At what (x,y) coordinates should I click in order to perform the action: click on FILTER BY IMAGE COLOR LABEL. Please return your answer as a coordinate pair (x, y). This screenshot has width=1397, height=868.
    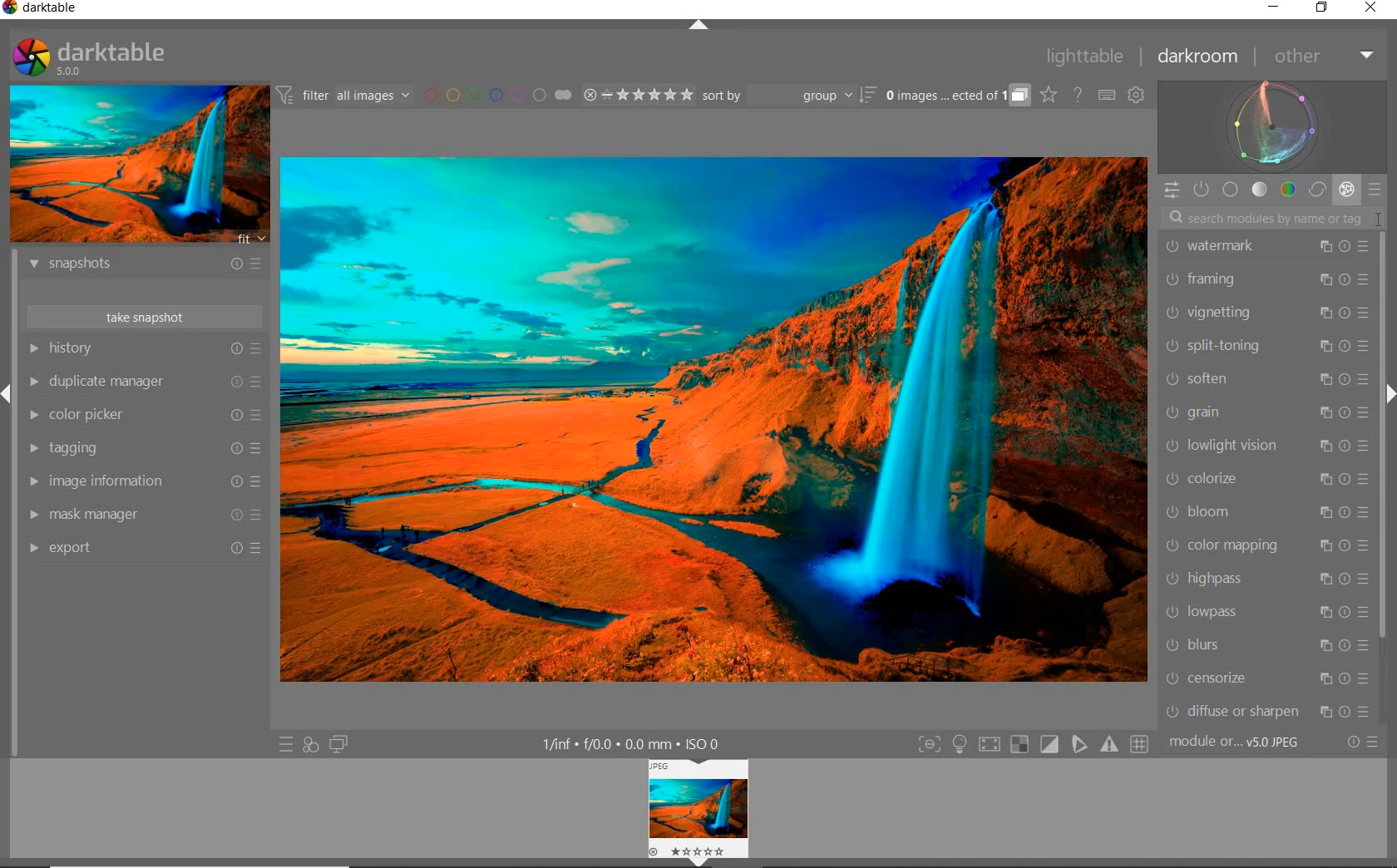
    Looking at the image, I should click on (499, 96).